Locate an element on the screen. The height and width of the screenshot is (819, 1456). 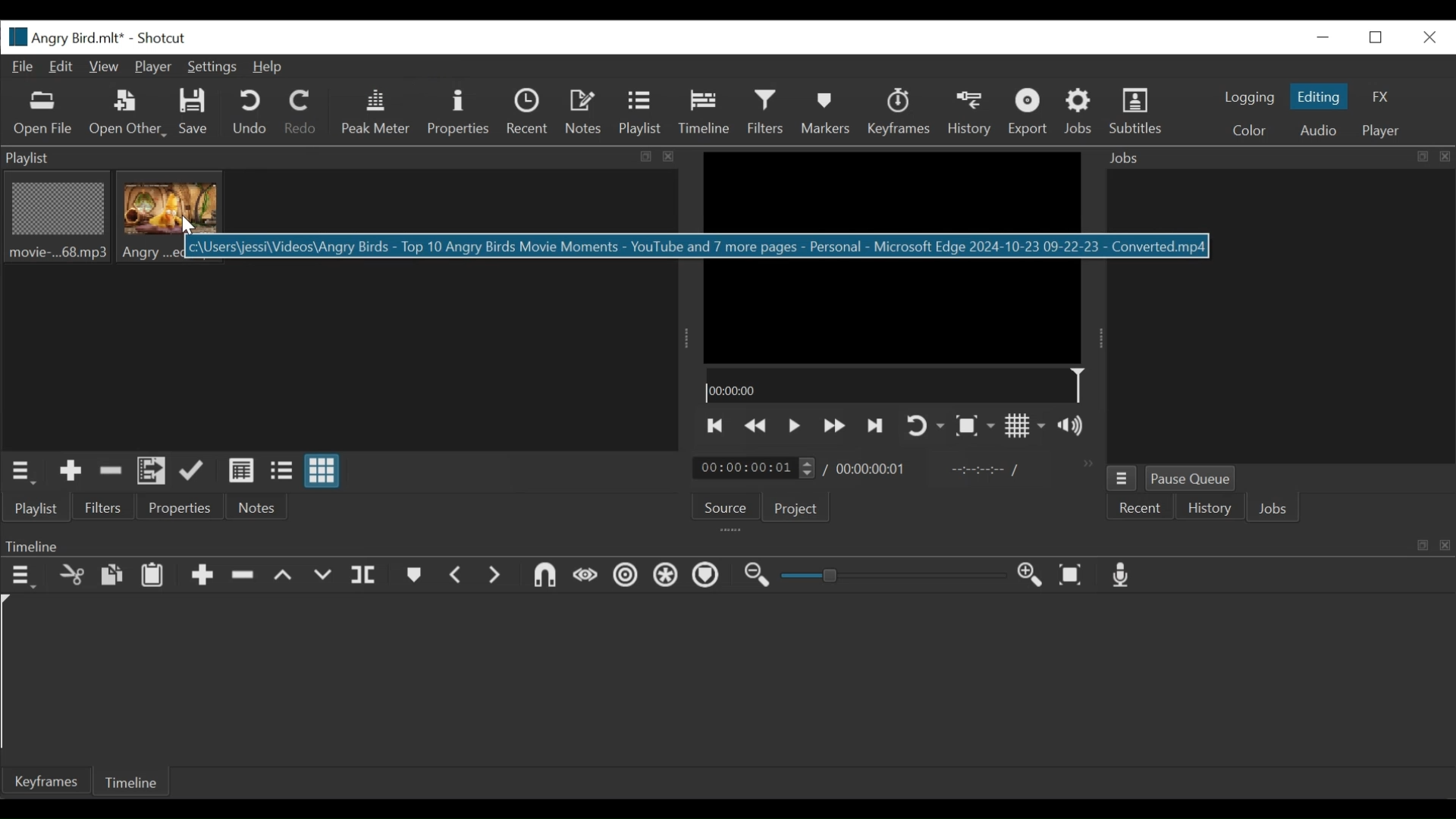
Ripple all tracks is located at coordinates (666, 576).